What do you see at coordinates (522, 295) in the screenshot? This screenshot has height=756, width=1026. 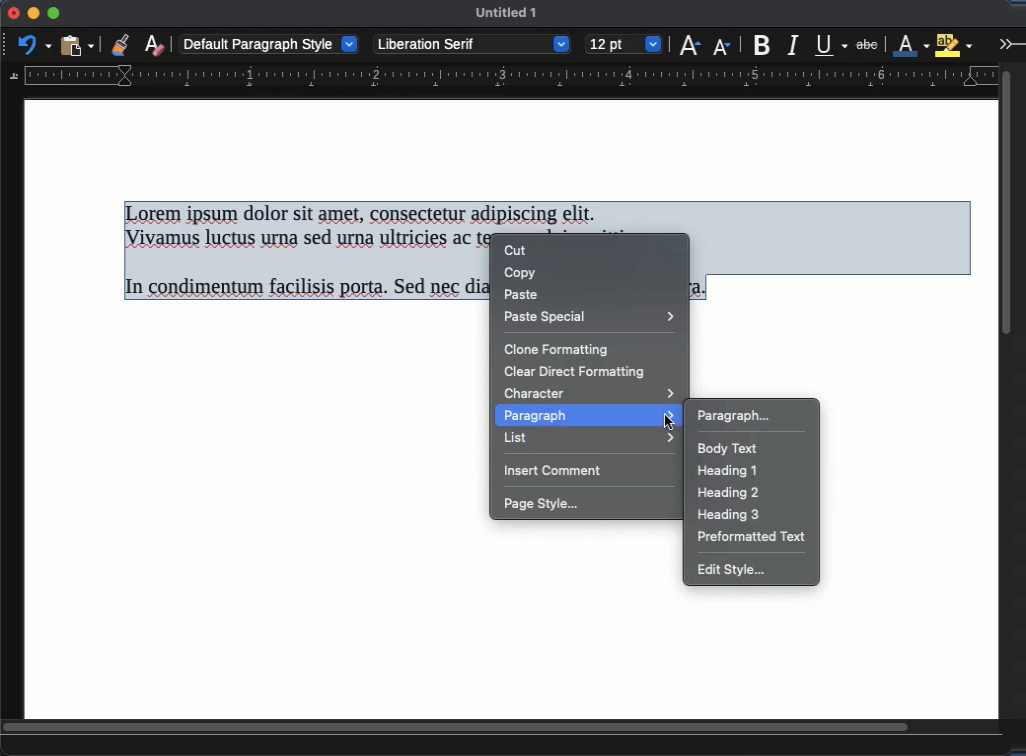 I see `paste` at bounding box center [522, 295].